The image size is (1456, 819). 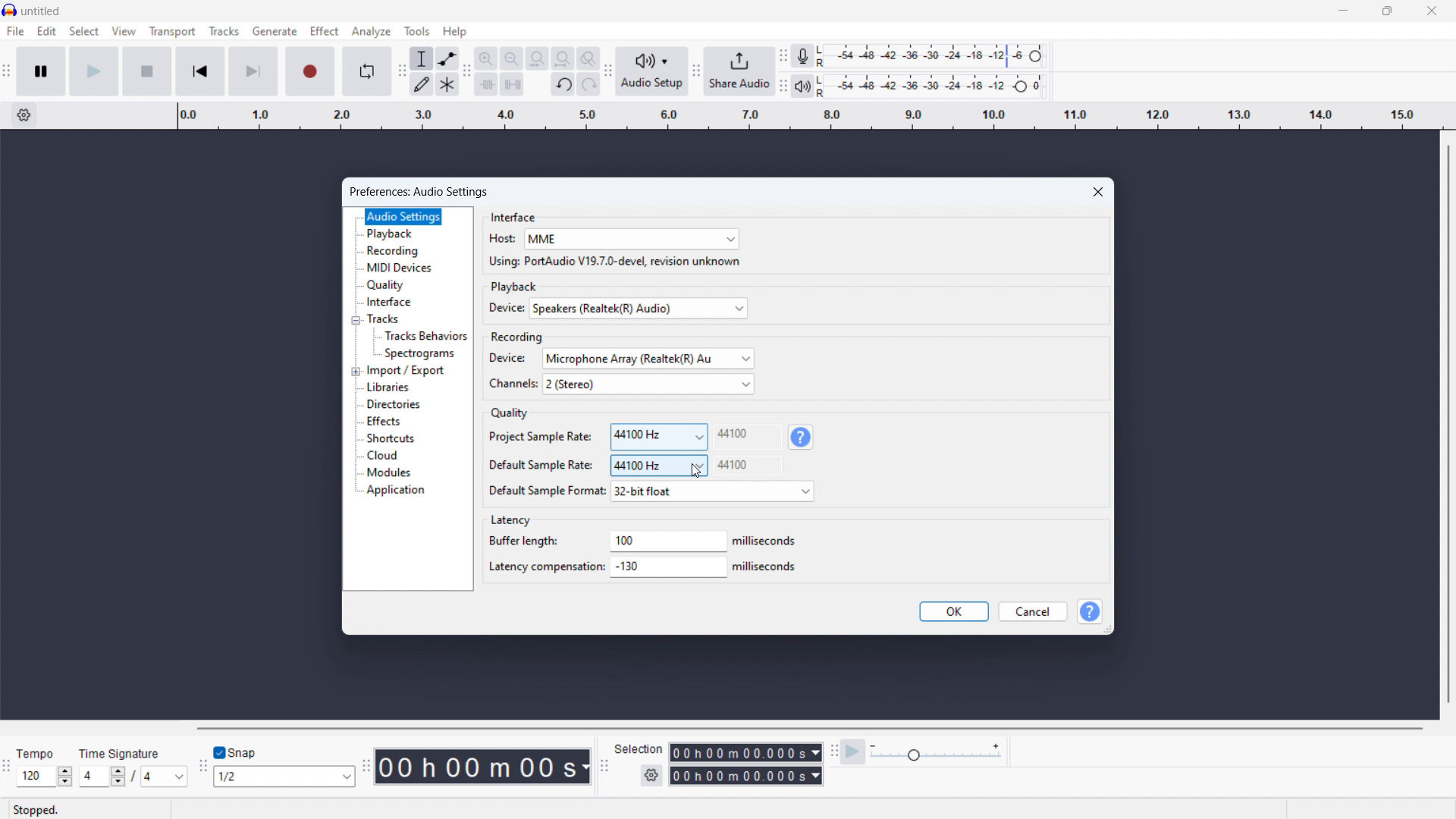 What do you see at coordinates (42, 71) in the screenshot?
I see `pause` at bounding box center [42, 71].